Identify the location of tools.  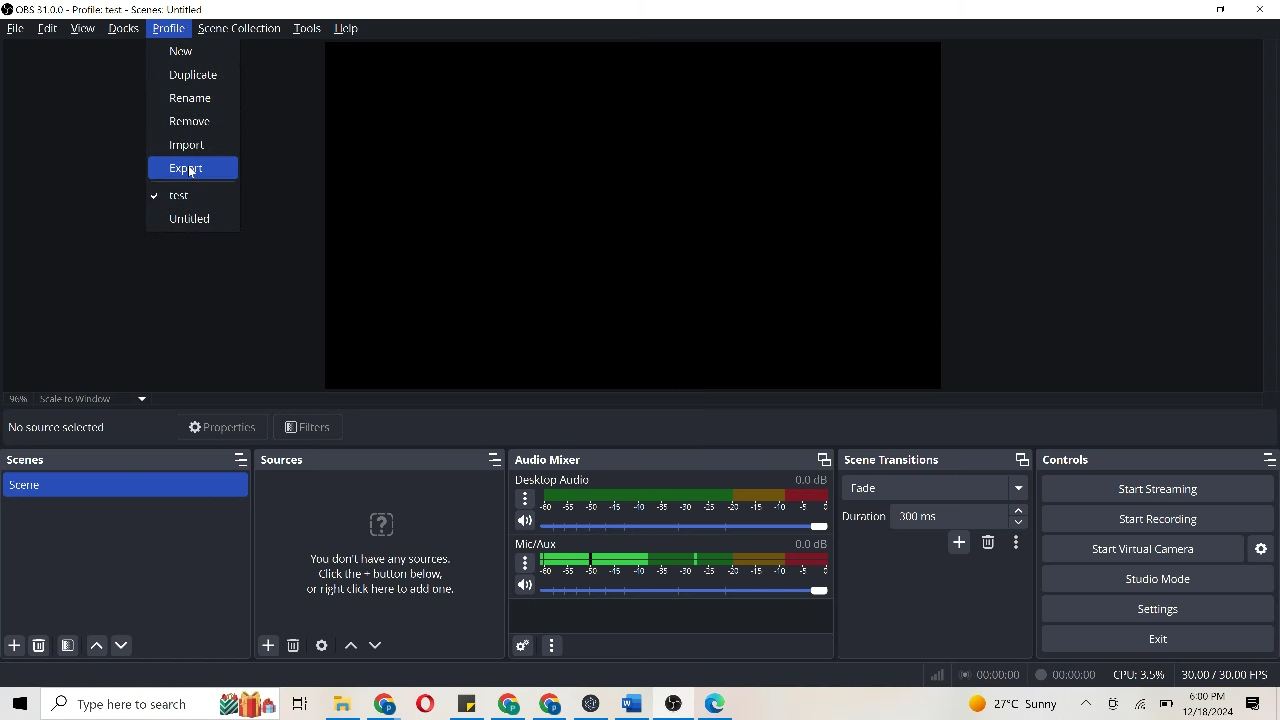
(308, 27).